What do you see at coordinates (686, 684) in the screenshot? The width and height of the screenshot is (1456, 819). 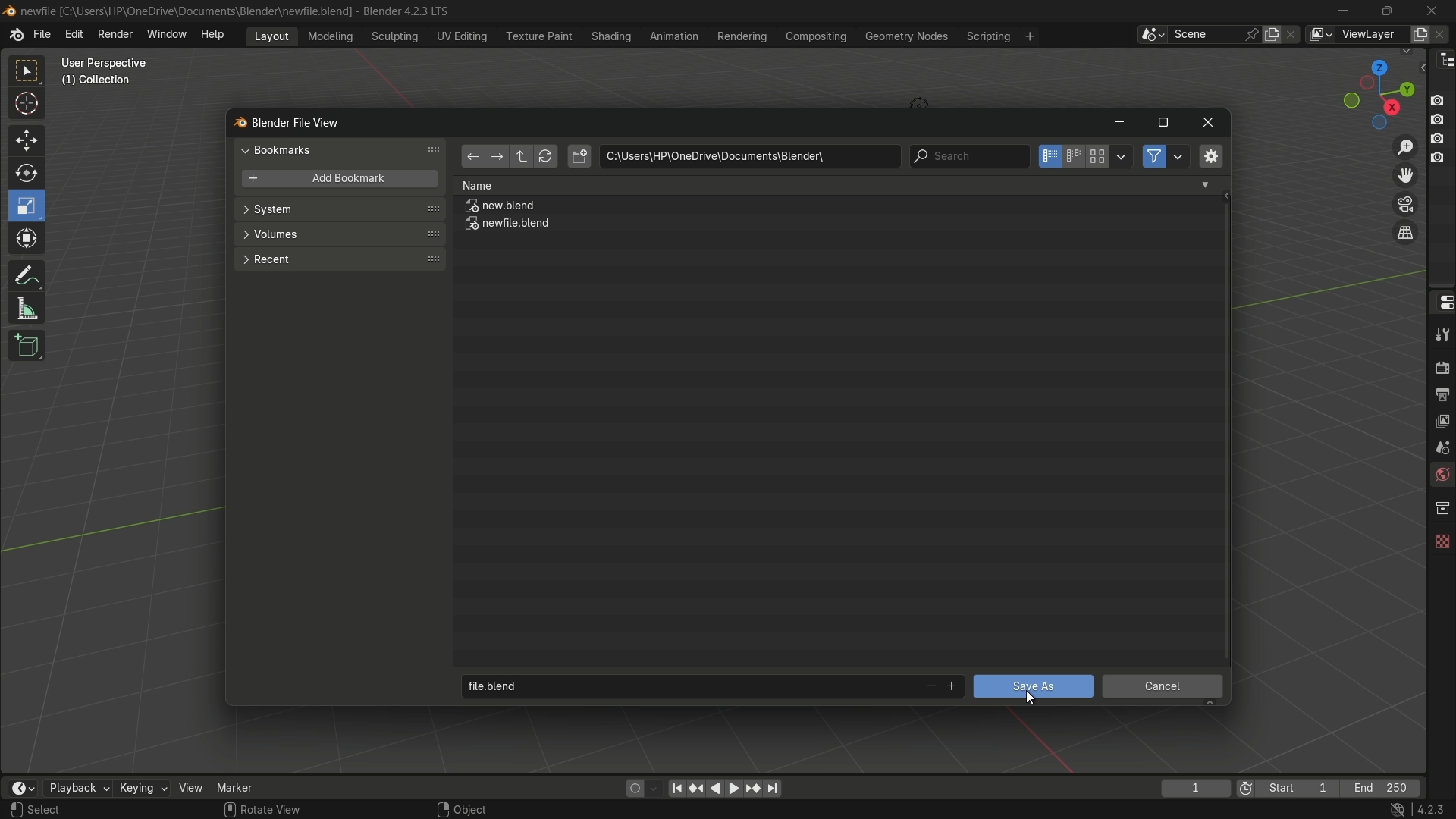 I see `file.blend` at bounding box center [686, 684].